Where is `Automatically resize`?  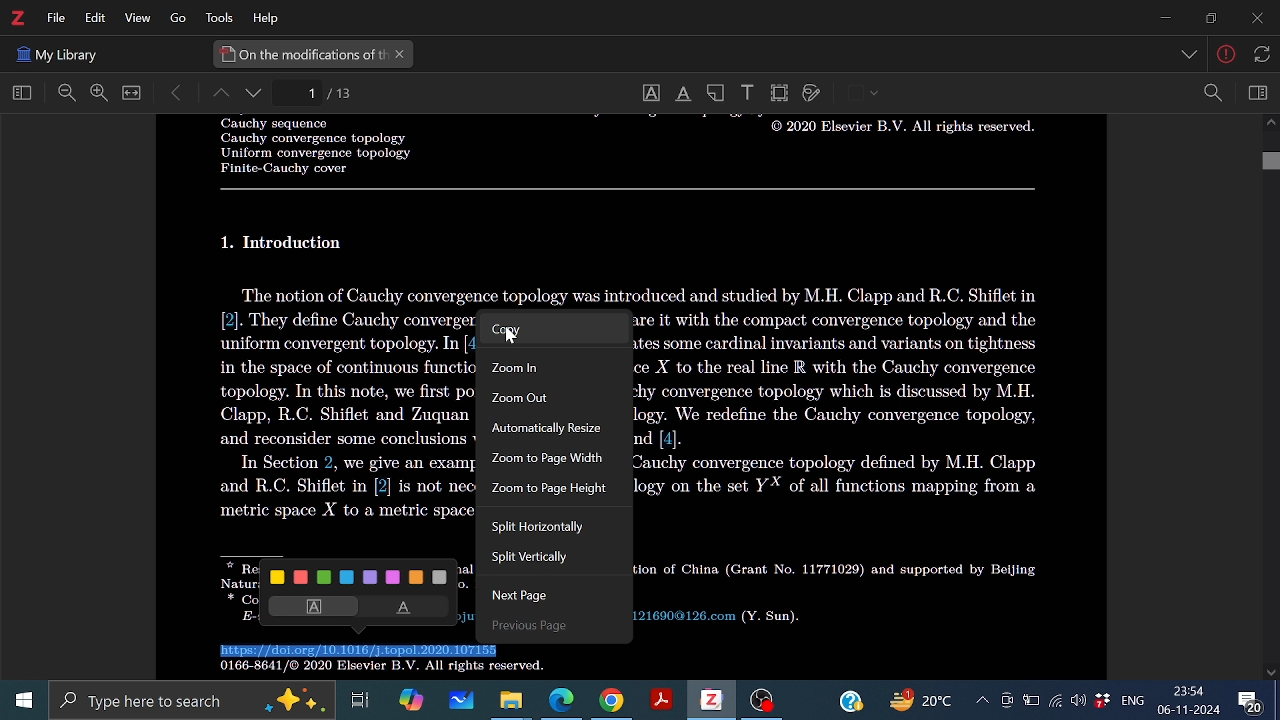
Automatically resize is located at coordinates (552, 430).